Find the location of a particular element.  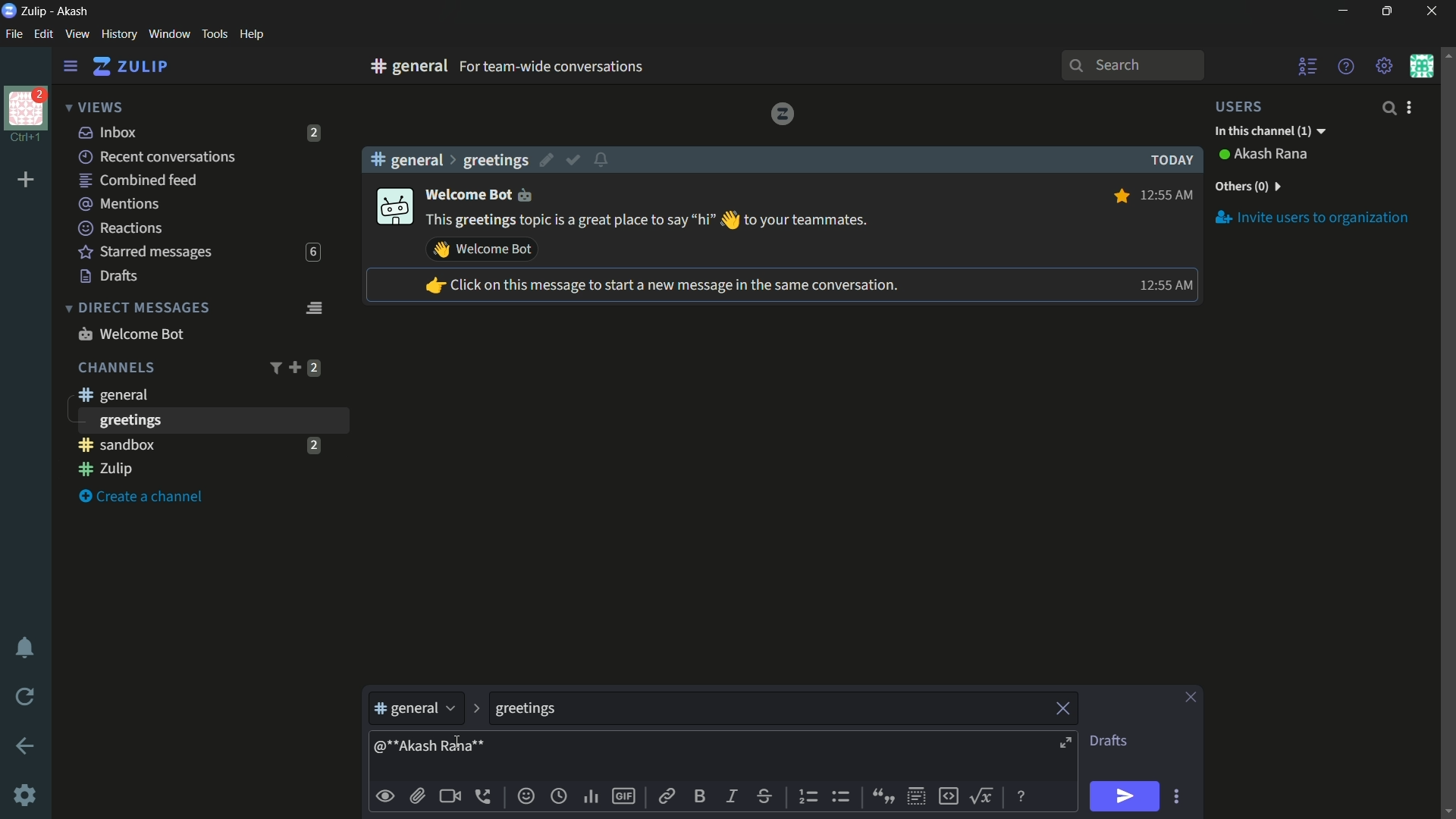

general channel is located at coordinates (111, 394).